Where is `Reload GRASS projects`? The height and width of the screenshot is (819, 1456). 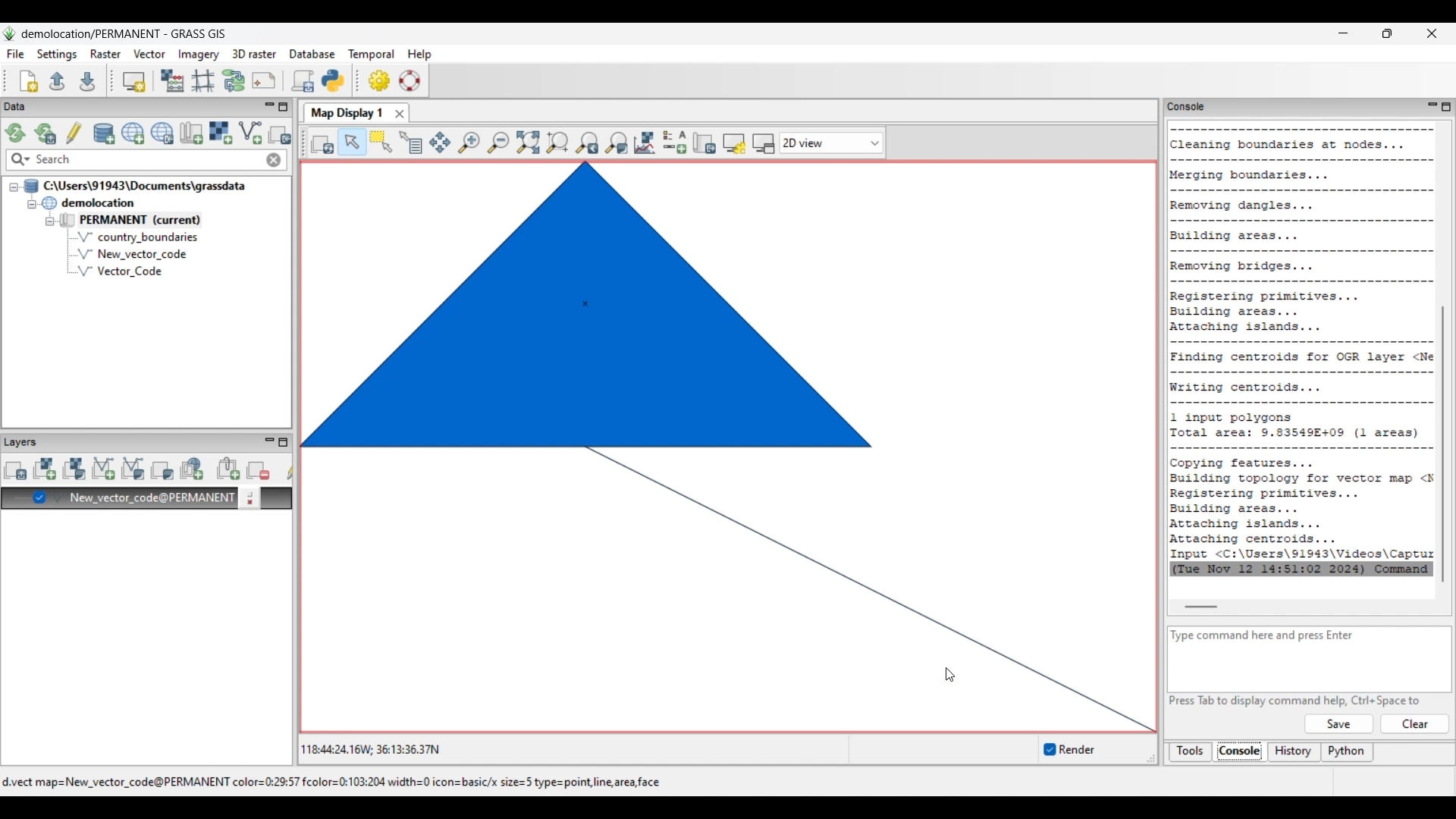
Reload GRASS projects is located at coordinates (16, 133).